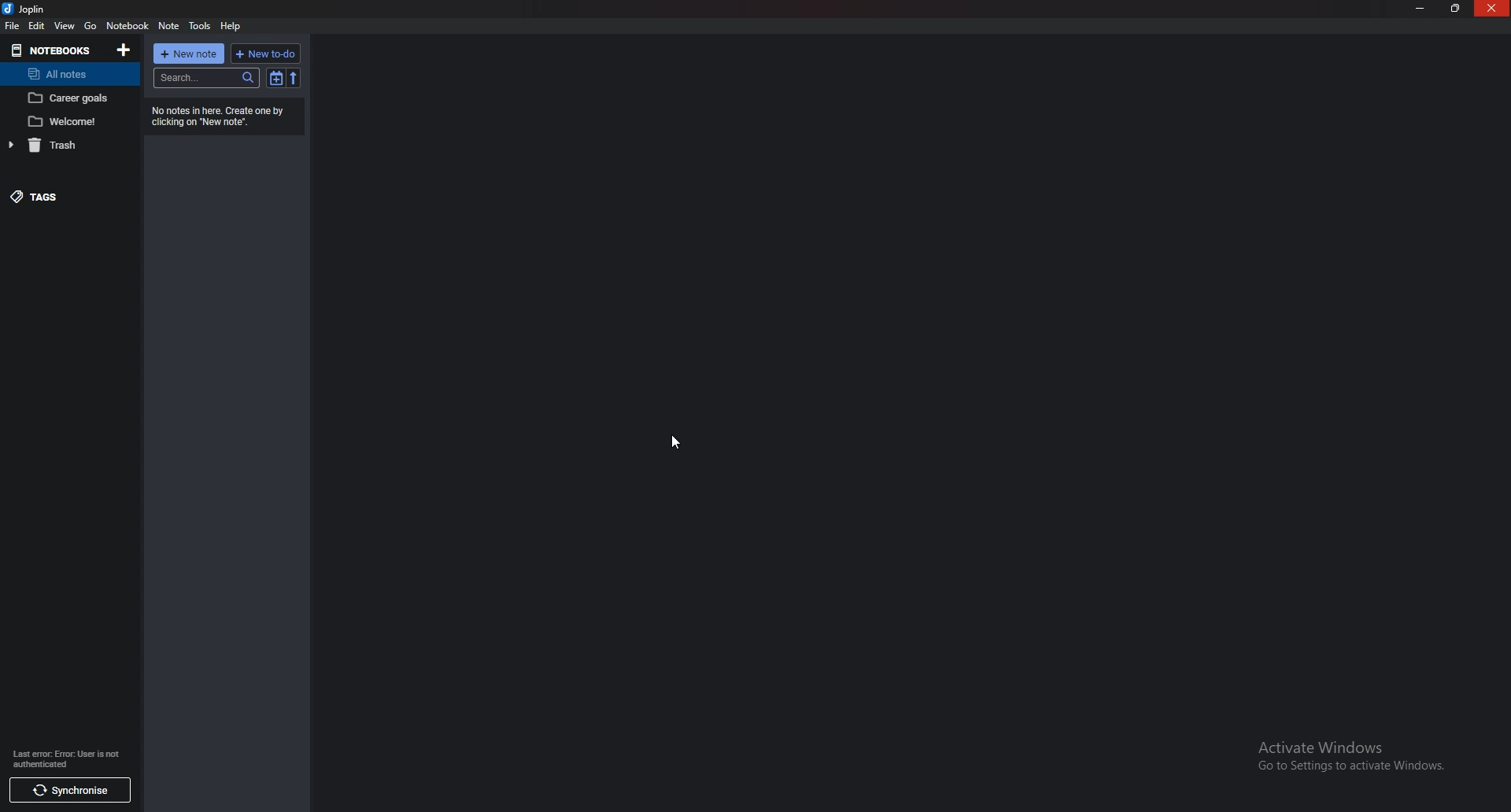 The image size is (1511, 812). Describe the element at coordinates (61, 195) in the screenshot. I see `tags` at that location.